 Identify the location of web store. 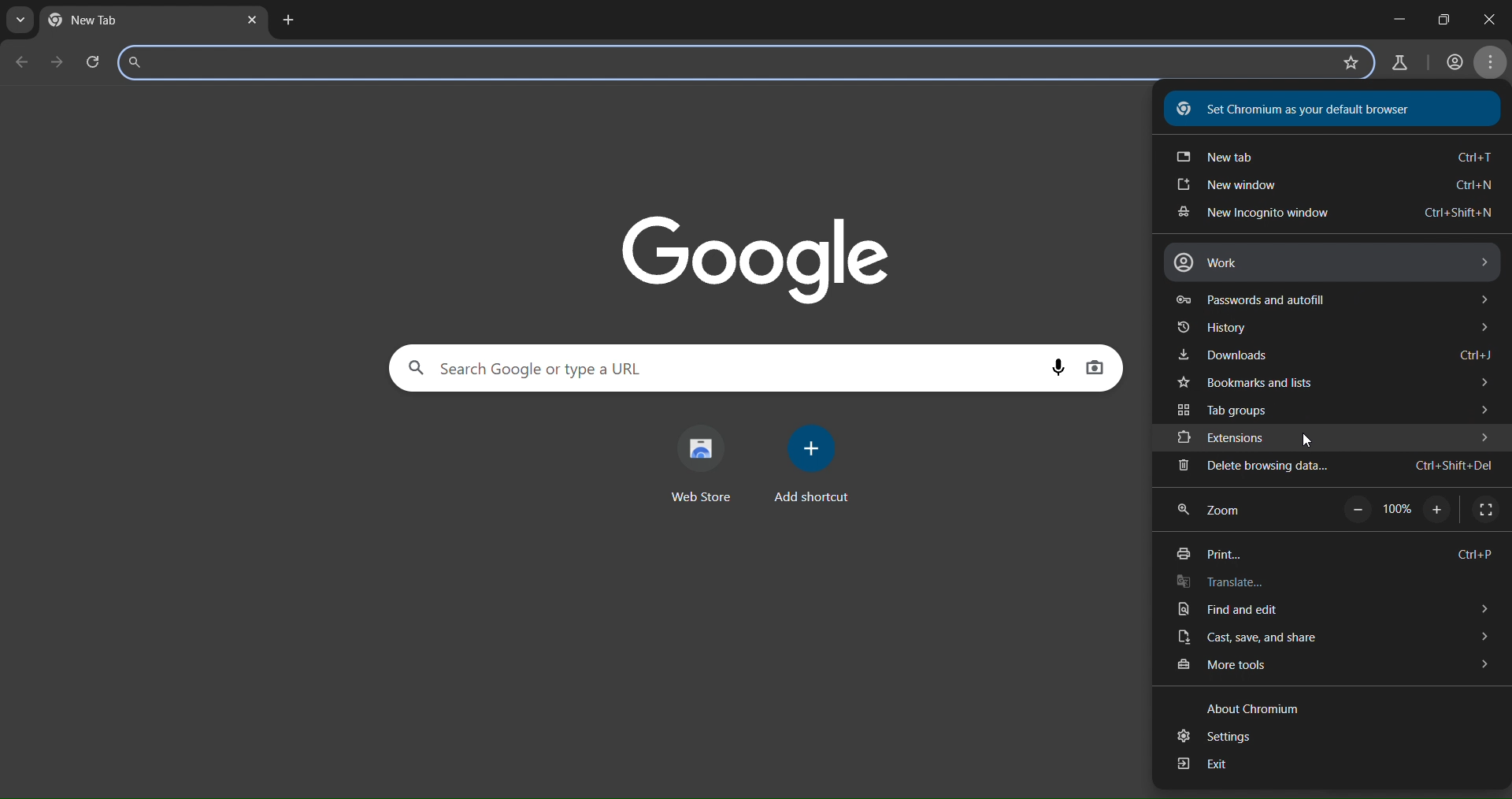
(700, 460).